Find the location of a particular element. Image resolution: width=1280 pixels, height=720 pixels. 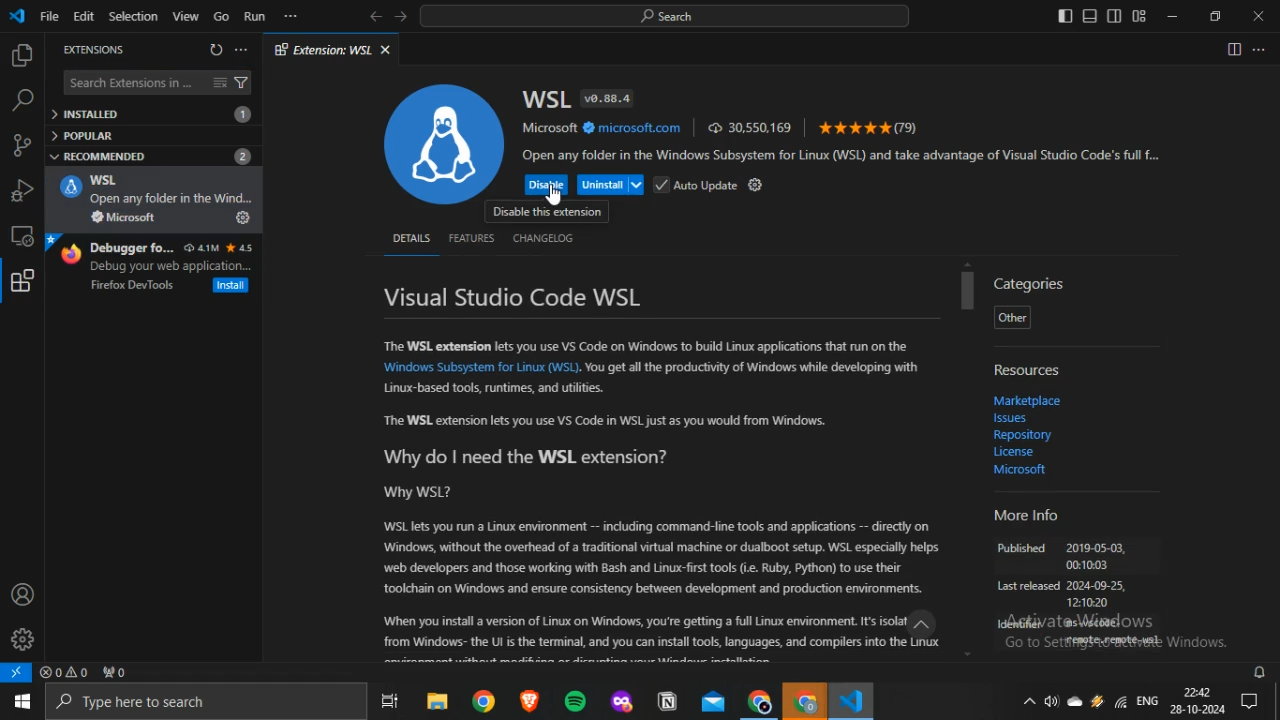

no problems is located at coordinates (64, 672).